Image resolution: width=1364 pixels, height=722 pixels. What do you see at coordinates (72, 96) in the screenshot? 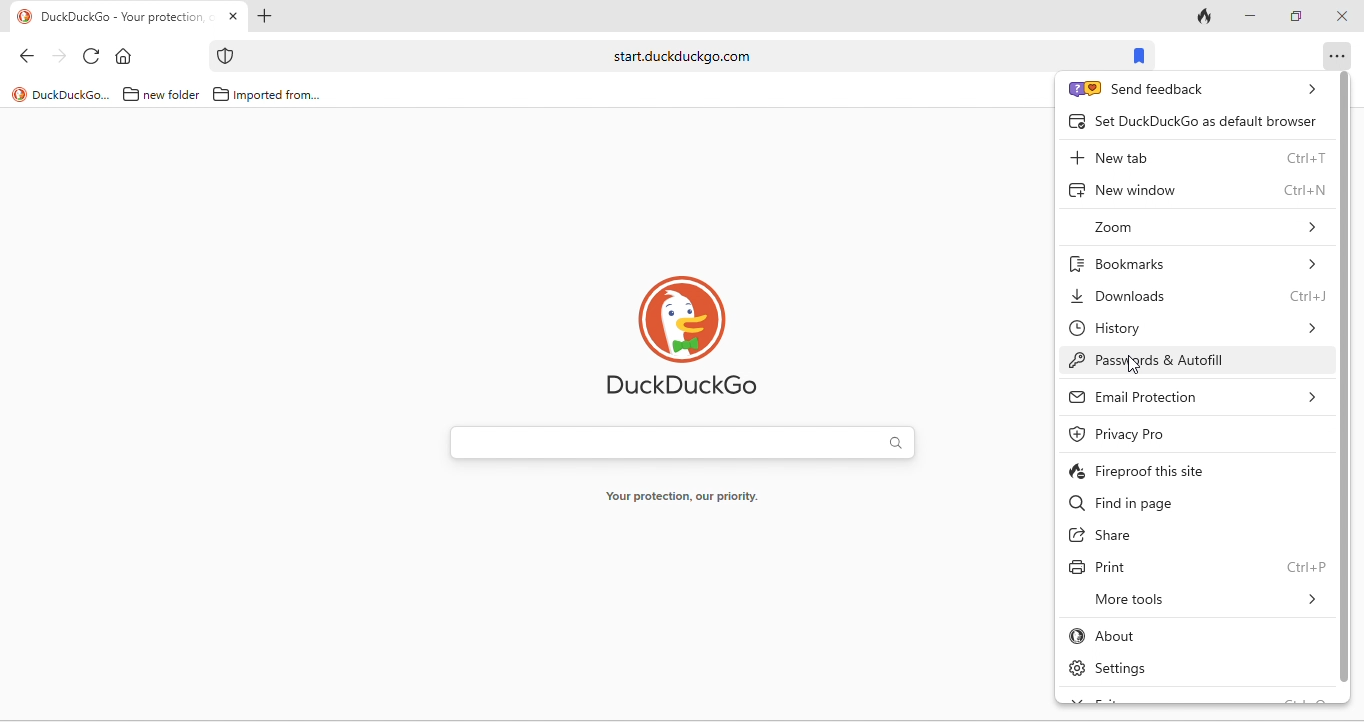
I see `duckduckgo...` at bounding box center [72, 96].